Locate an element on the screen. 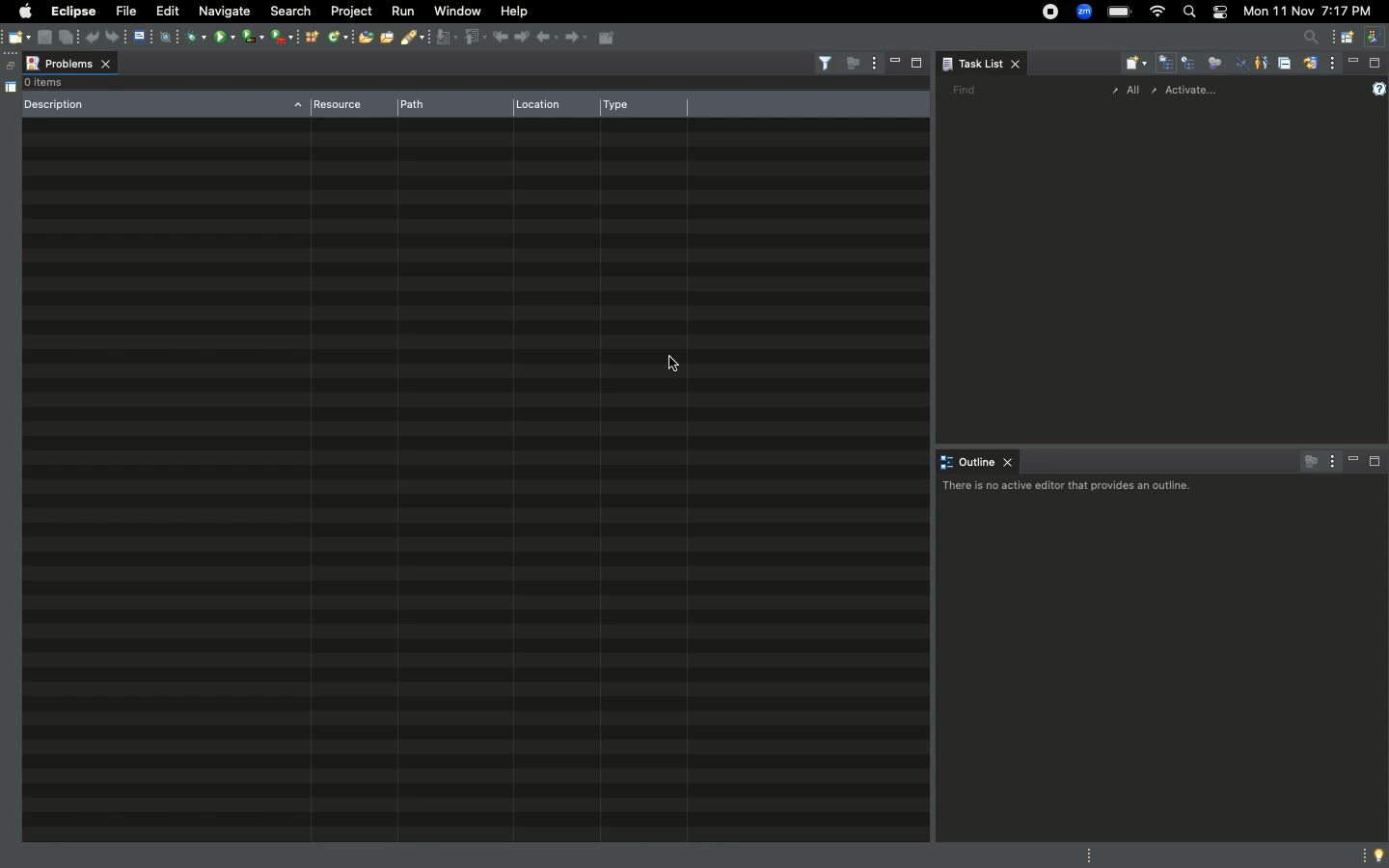 The image size is (1389, 868). Minimize is located at coordinates (1354, 62).